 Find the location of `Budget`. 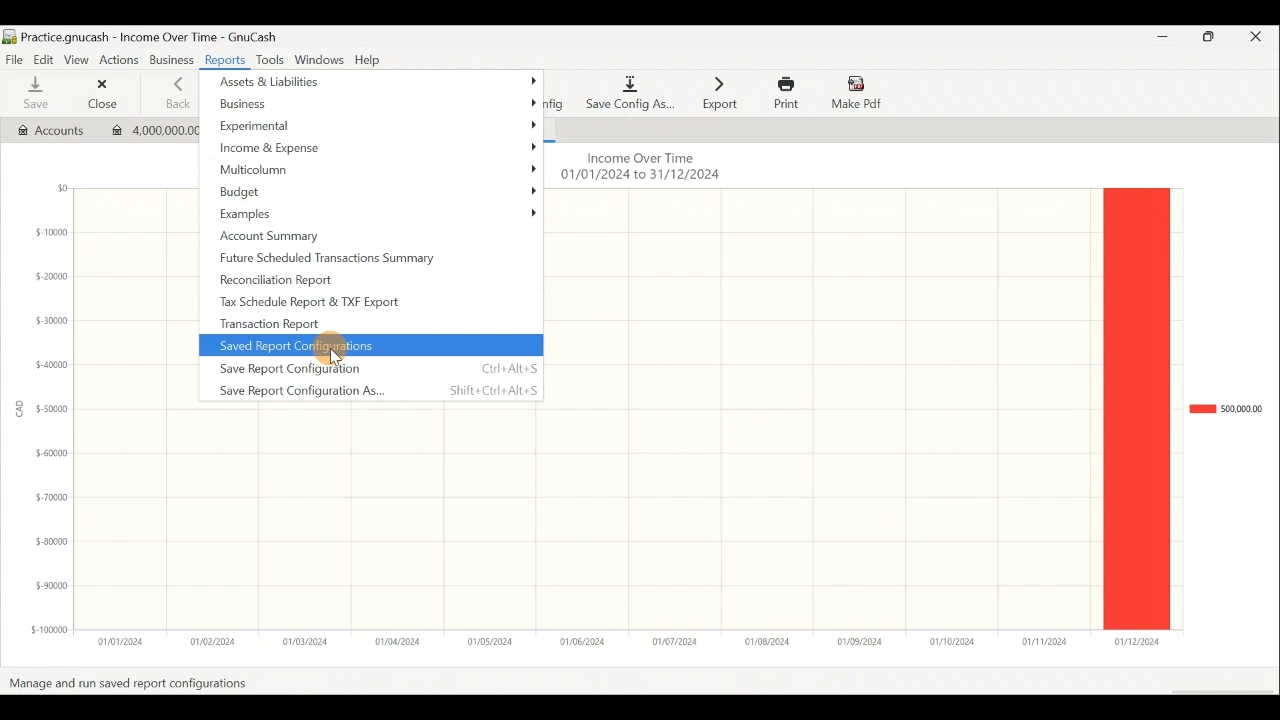

Budget is located at coordinates (370, 191).